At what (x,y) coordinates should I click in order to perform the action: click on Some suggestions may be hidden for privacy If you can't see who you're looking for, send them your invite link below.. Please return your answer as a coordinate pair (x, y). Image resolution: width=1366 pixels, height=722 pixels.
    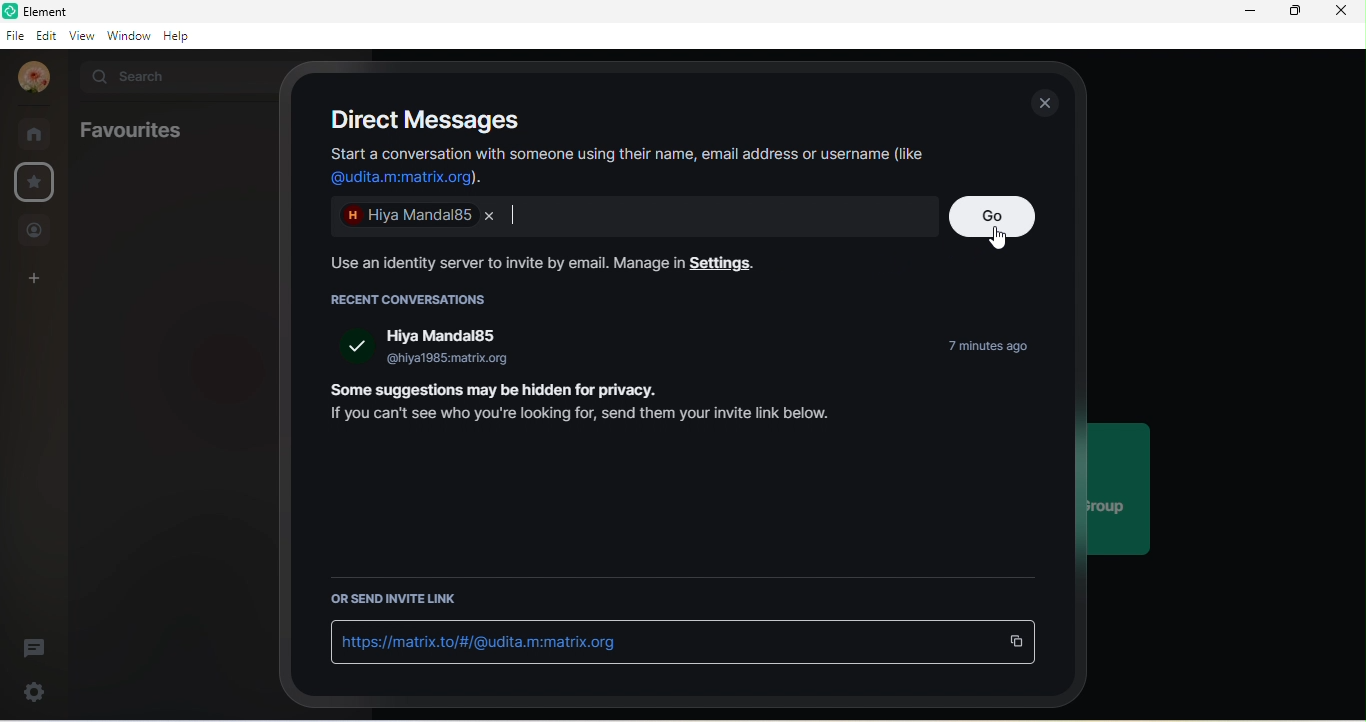
    Looking at the image, I should click on (582, 406).